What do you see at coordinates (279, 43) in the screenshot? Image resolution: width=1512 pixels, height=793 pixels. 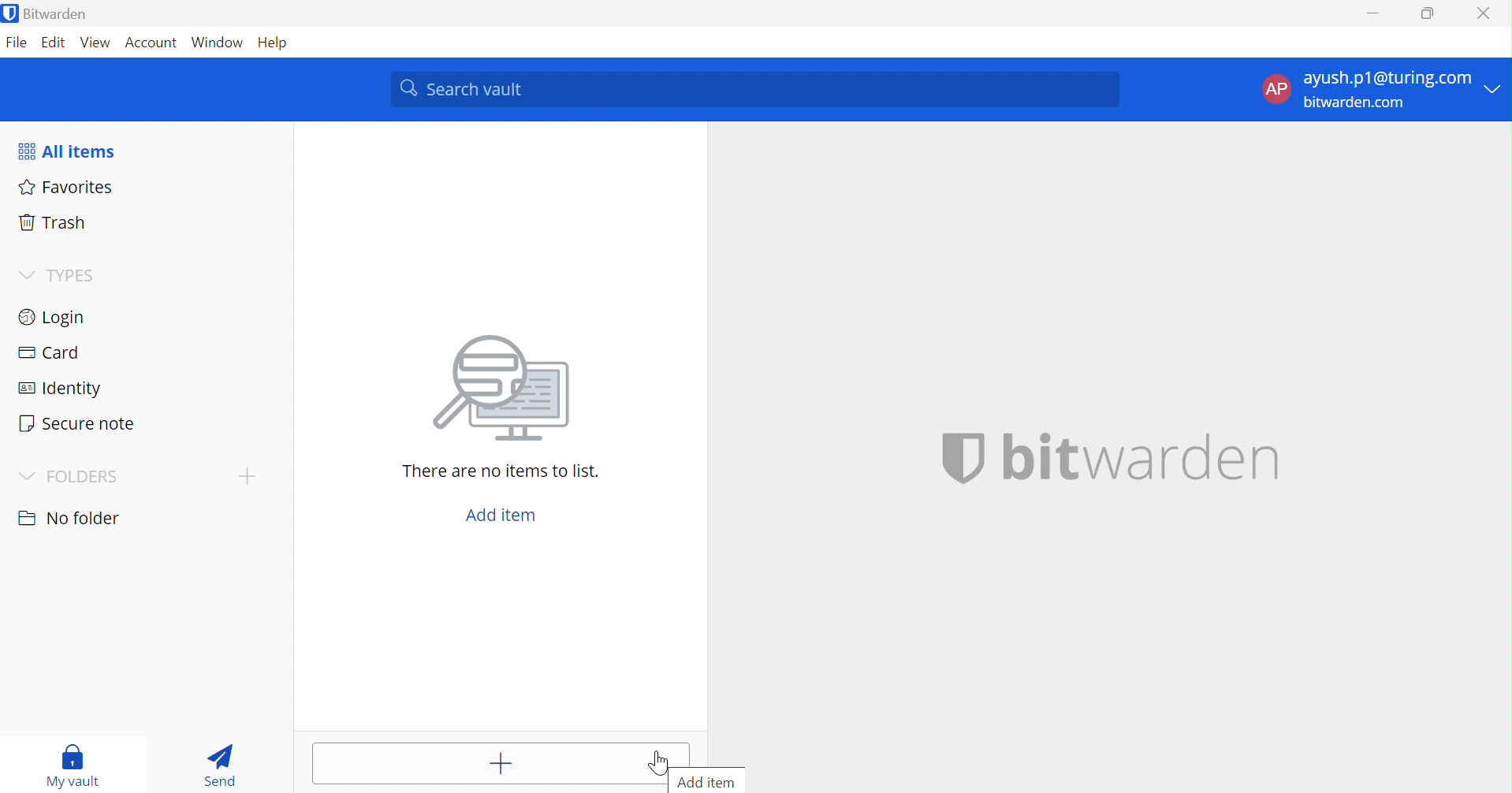 I see `Help` at bounding box center [279, 43].